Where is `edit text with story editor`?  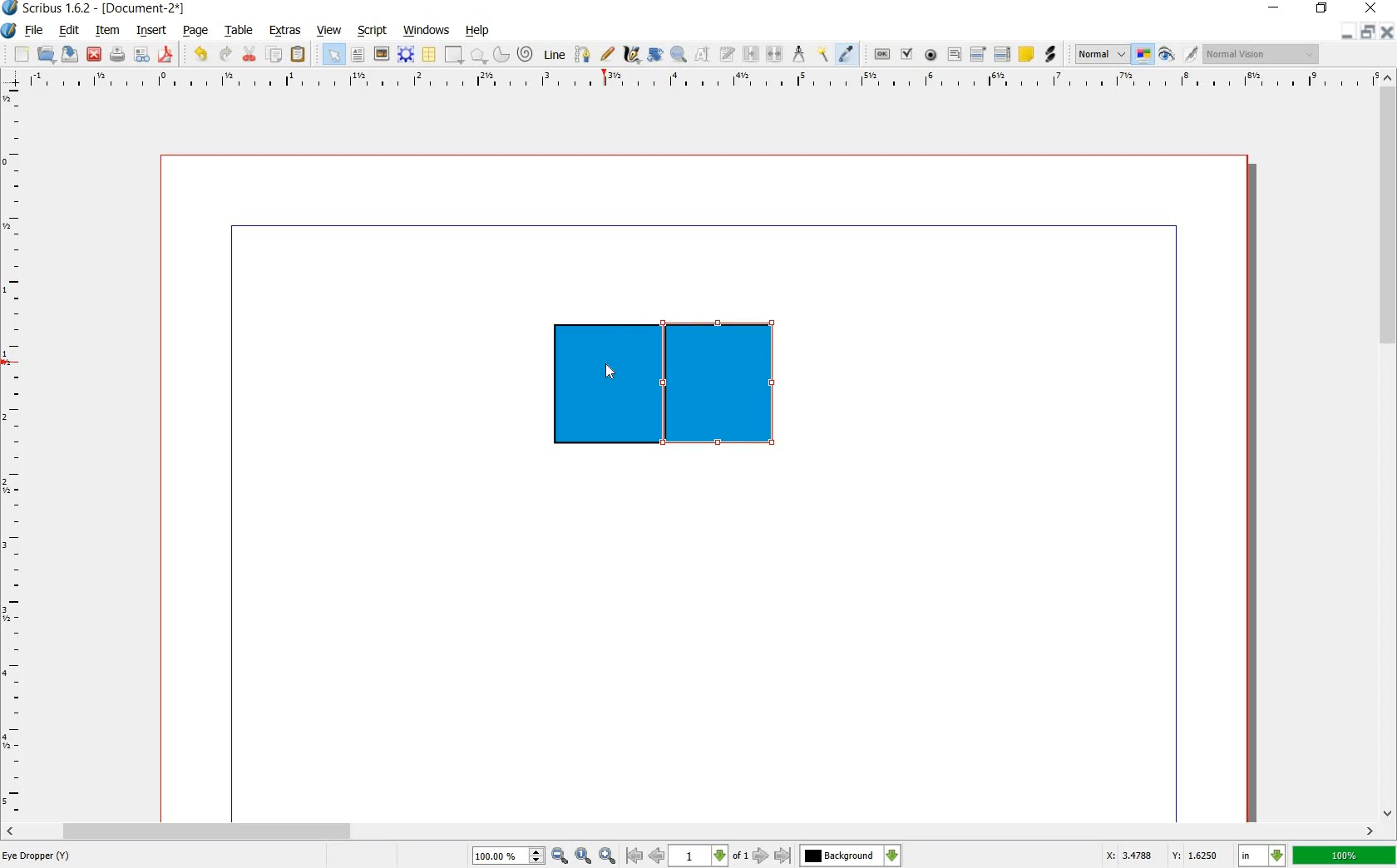 edit text with story editor is located at coordinates (728, 55).